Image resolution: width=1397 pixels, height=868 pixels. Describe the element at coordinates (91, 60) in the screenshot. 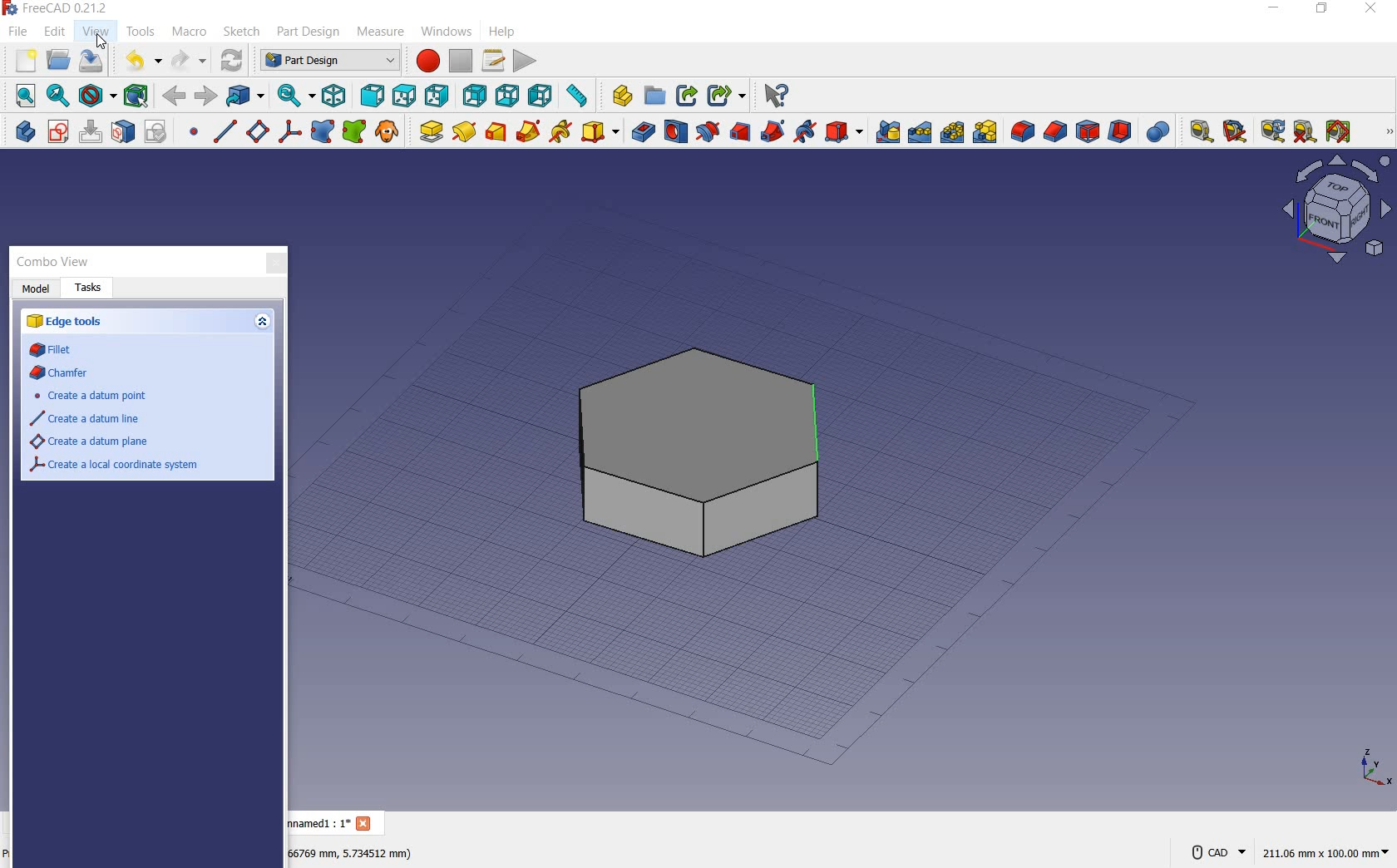

I see `save` at that location.